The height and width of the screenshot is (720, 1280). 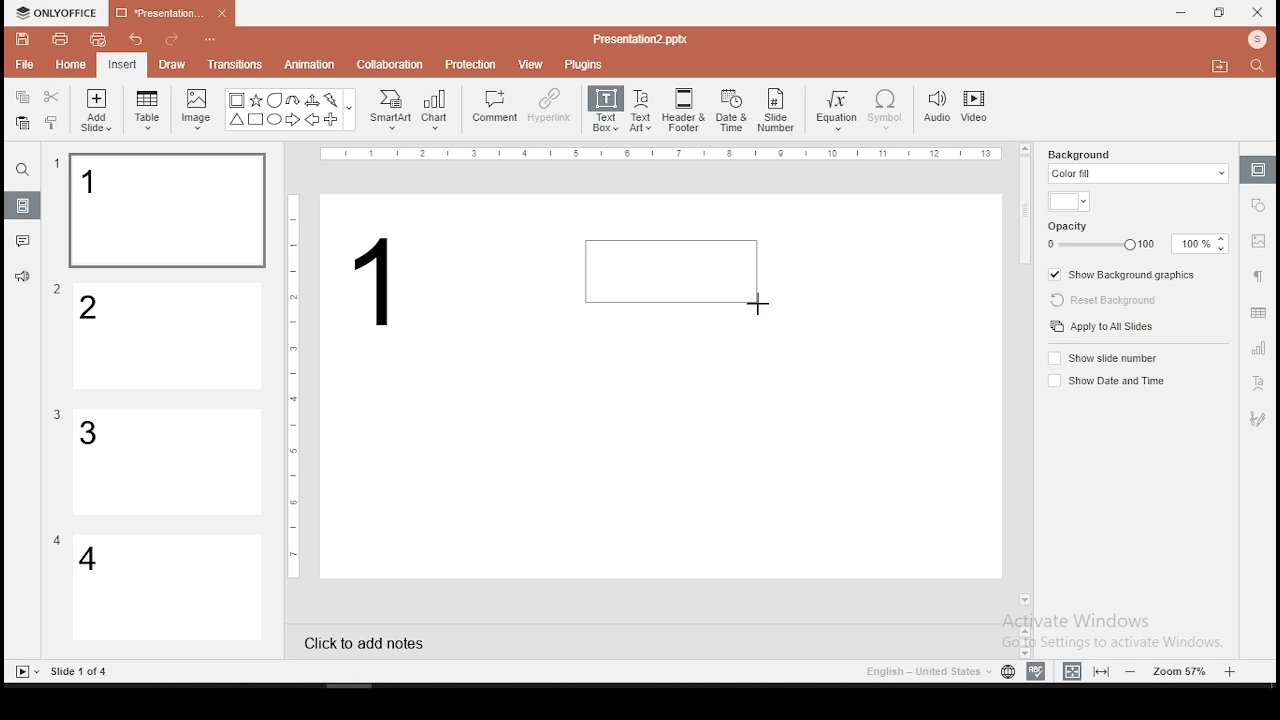 I want to click on slide 3, so click(x=165, y=462).